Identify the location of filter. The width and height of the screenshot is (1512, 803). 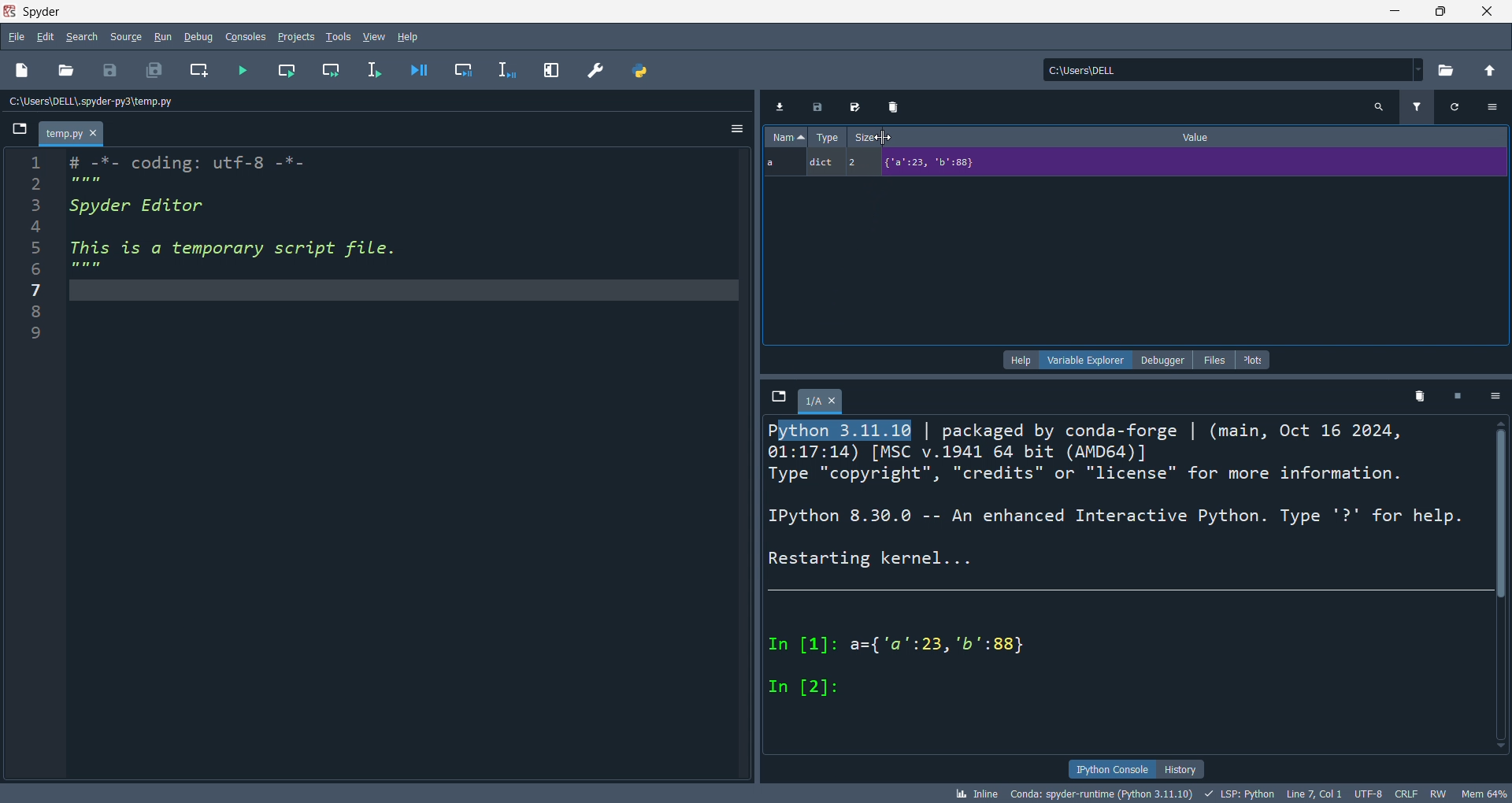
(1416, 107).